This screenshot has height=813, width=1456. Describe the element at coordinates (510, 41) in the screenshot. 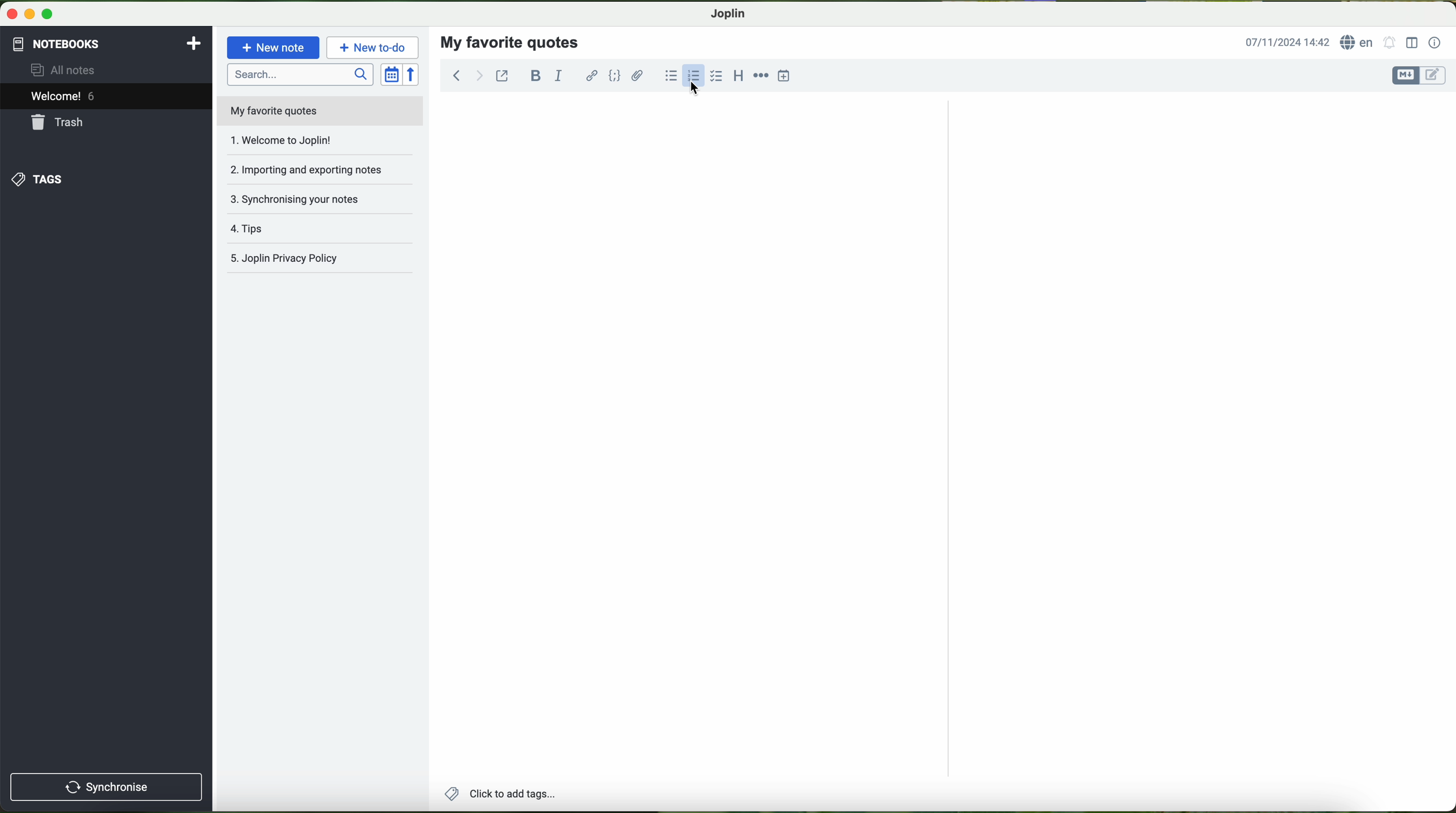

I see `my favorite quotes` at that location.